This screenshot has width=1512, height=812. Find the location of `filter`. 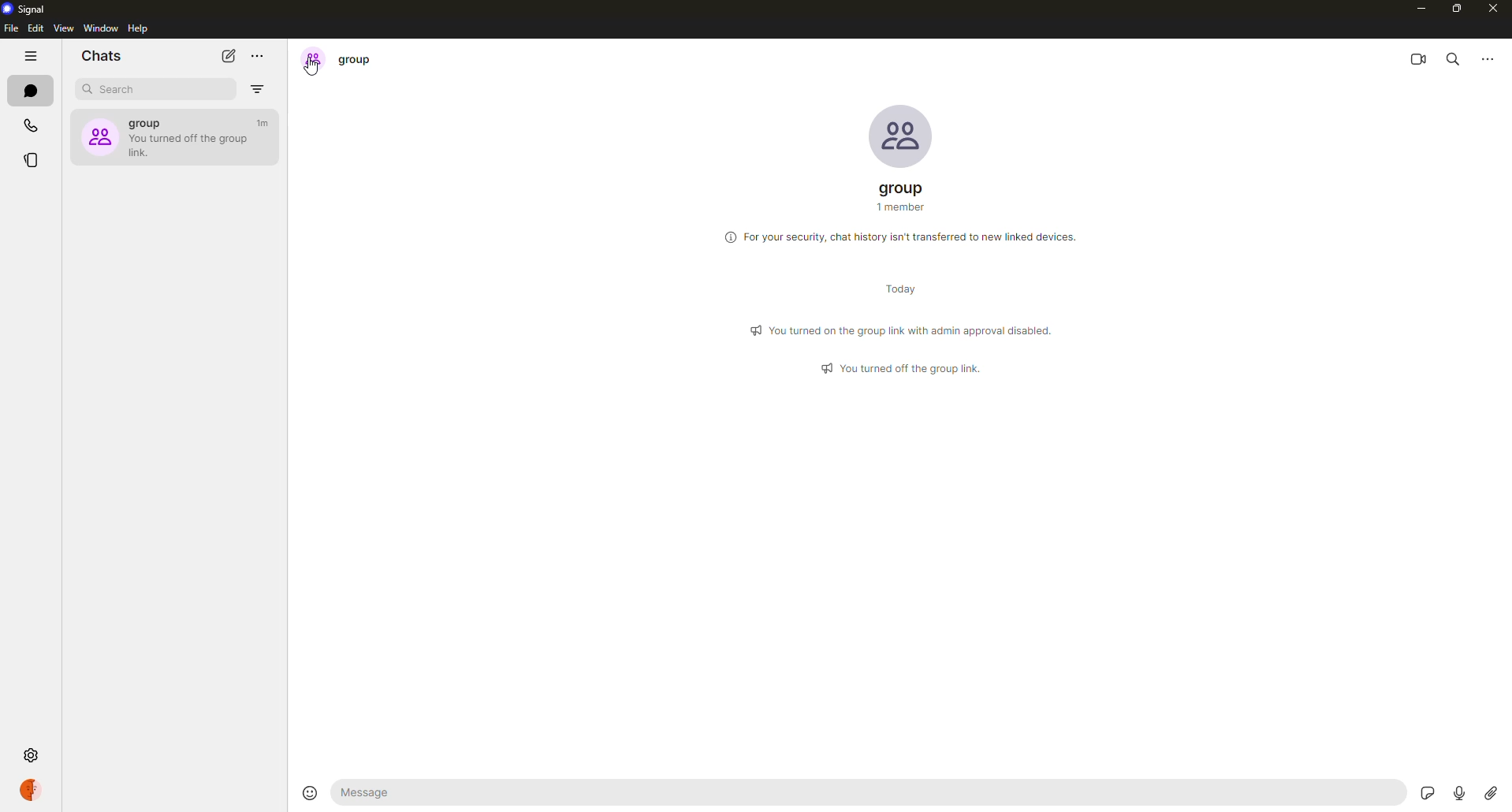

filter is located at coordinates (258, 89).